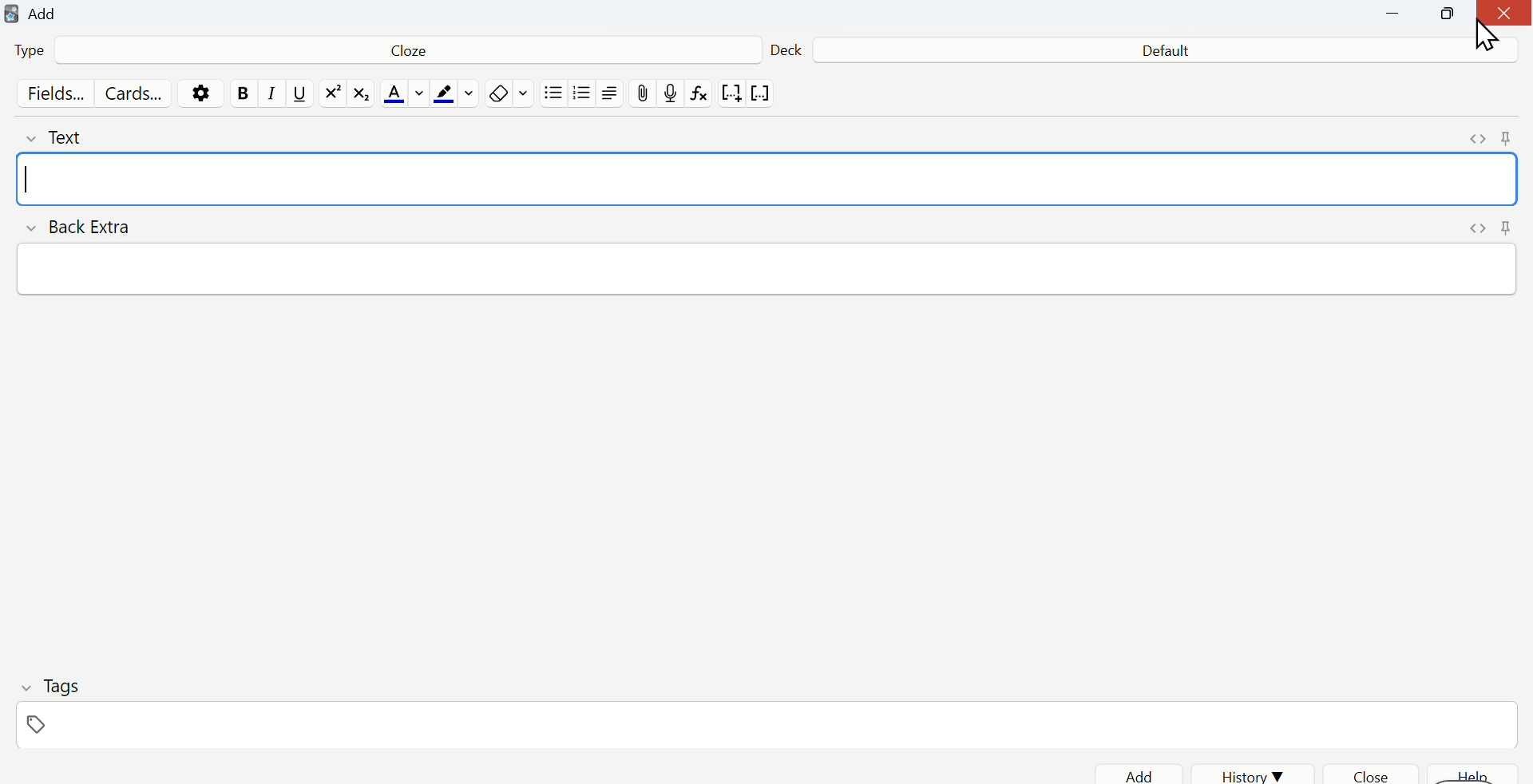 The width and height of the screenshot is (1533, 784). Describe the element at coordinates (1489, 34) in the screenshot. I see `cursor` at that location.